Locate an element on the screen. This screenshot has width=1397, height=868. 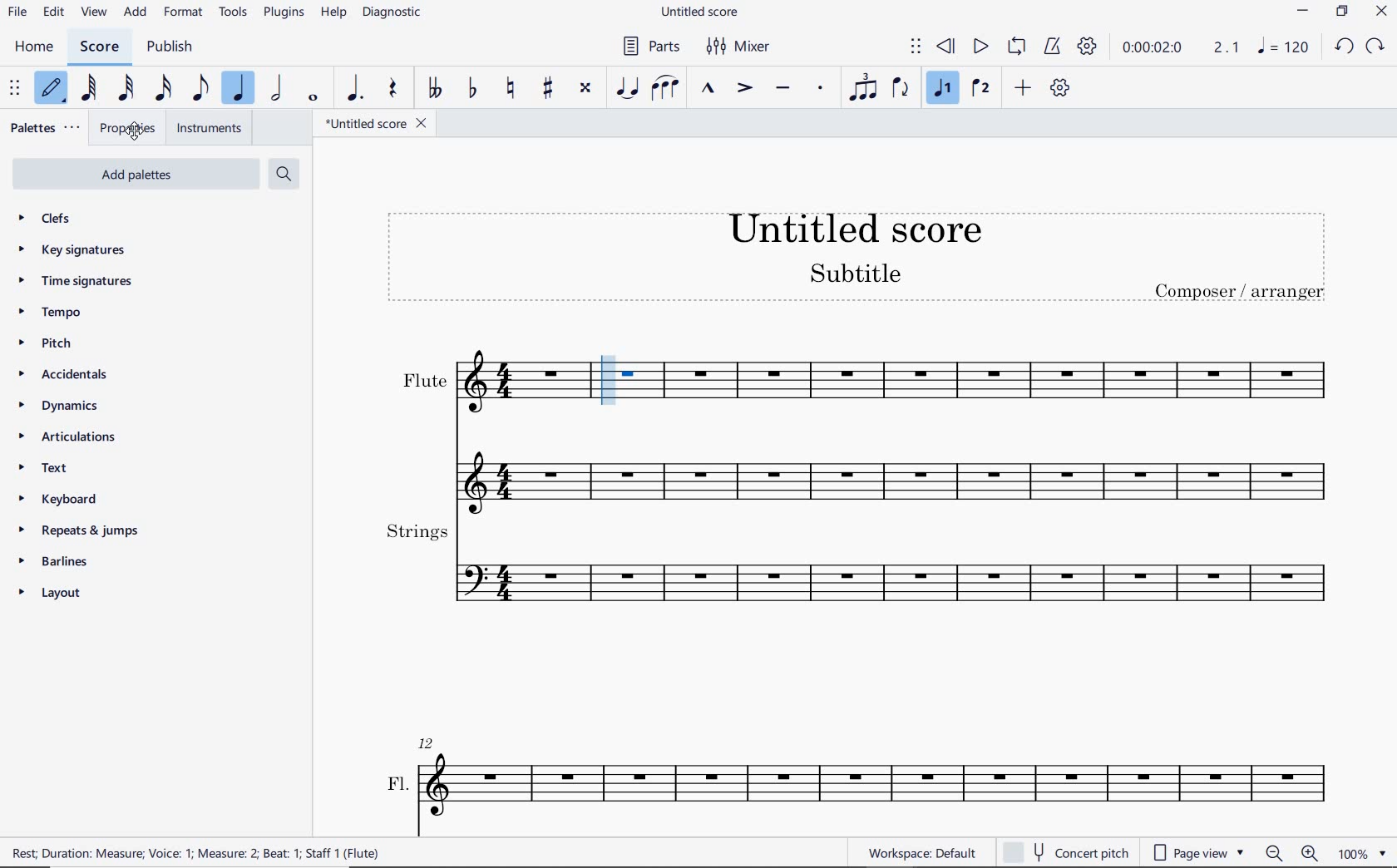
VOICE 2 is located at coordinates (980, 89).